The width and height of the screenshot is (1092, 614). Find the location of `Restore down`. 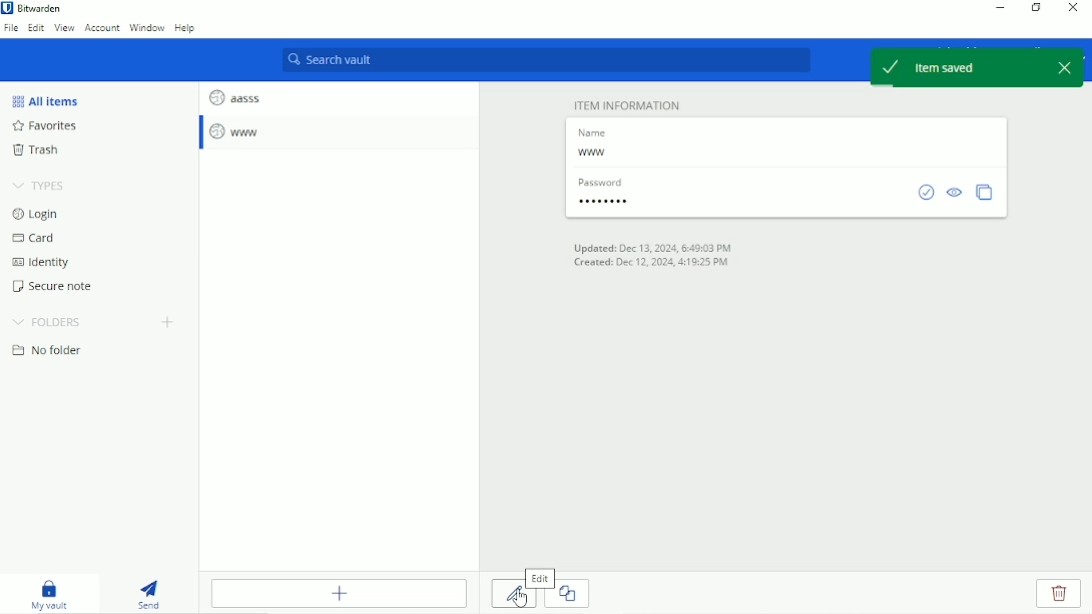

Restore down is located at coordinates (1037, 9).